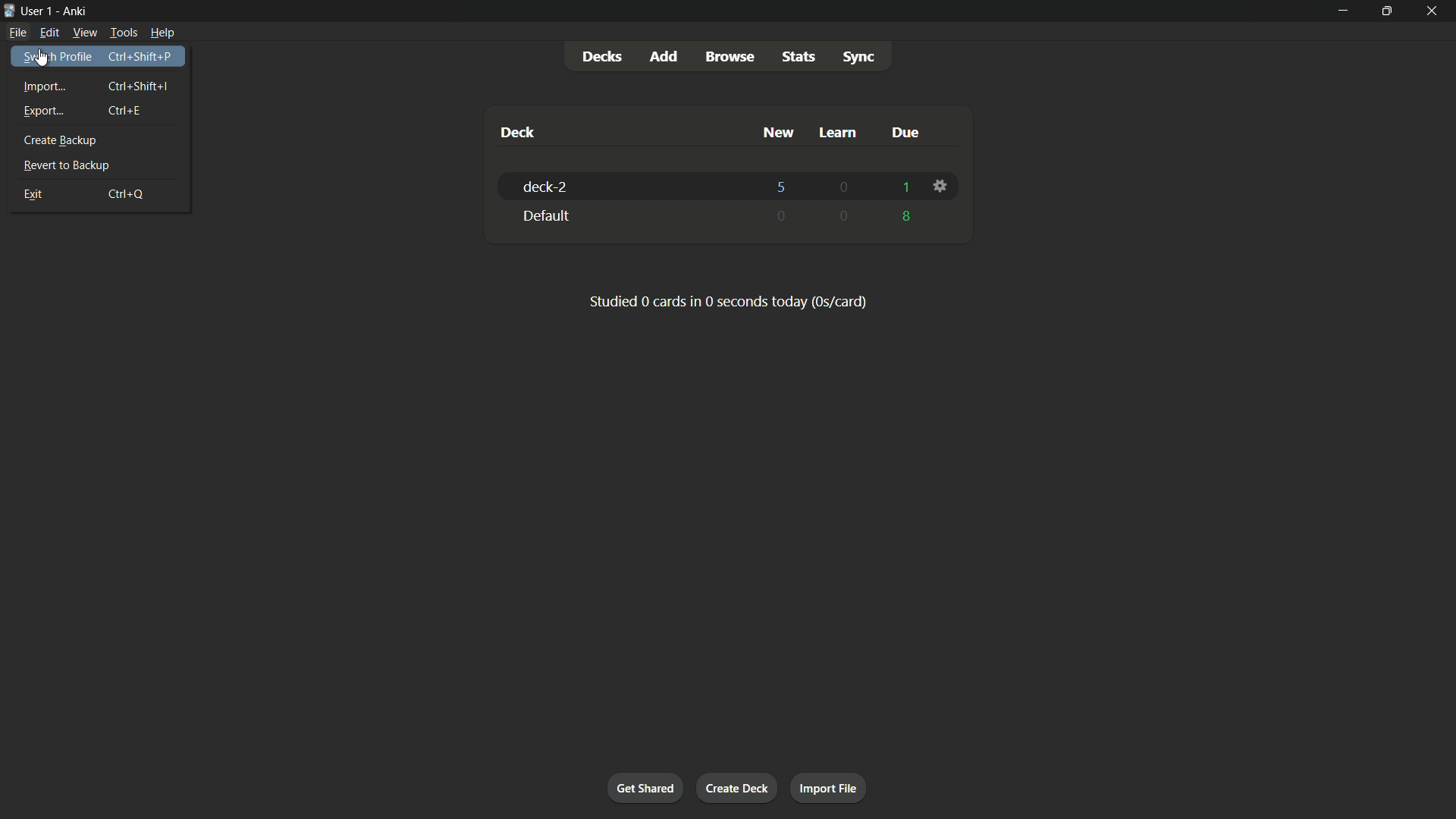 Image resolution: width=1456 pixels, height=819 pixels. Describe the element at coordinates (732, 57) in the screenshot. I see `Browse` at that location.